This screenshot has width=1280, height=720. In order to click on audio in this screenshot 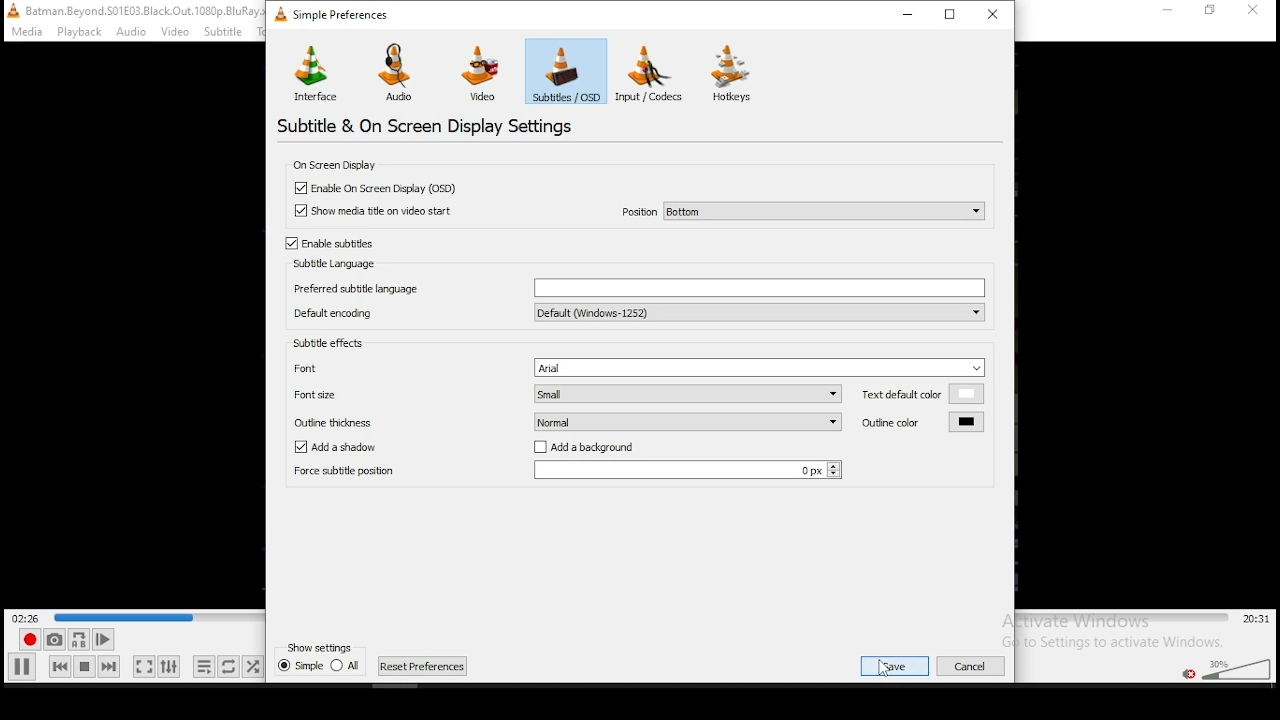, I will do `click(400, 72)`.